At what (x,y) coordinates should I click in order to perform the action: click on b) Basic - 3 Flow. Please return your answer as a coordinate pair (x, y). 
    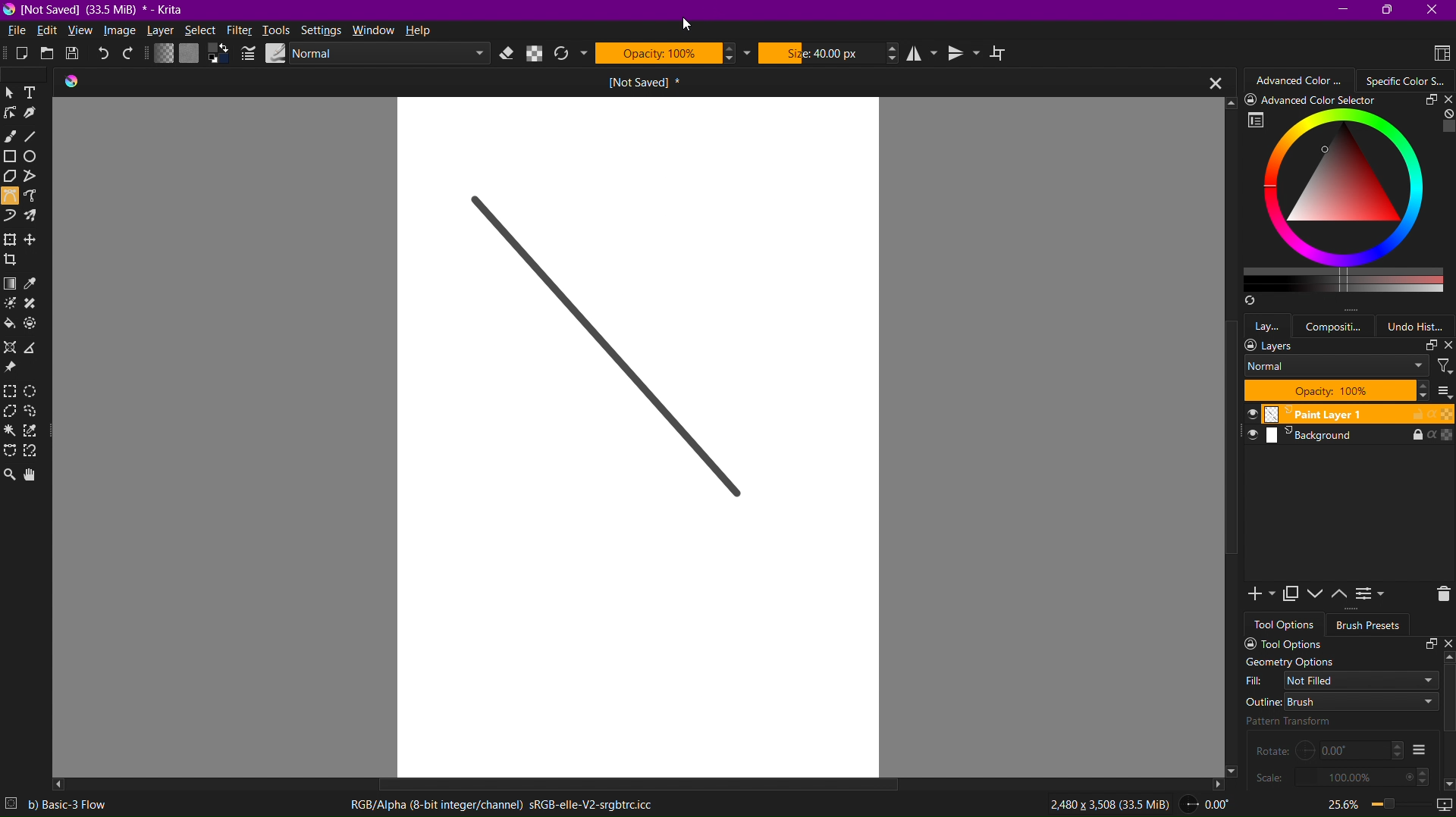
    Looking at the image, I should click on (76, 805).